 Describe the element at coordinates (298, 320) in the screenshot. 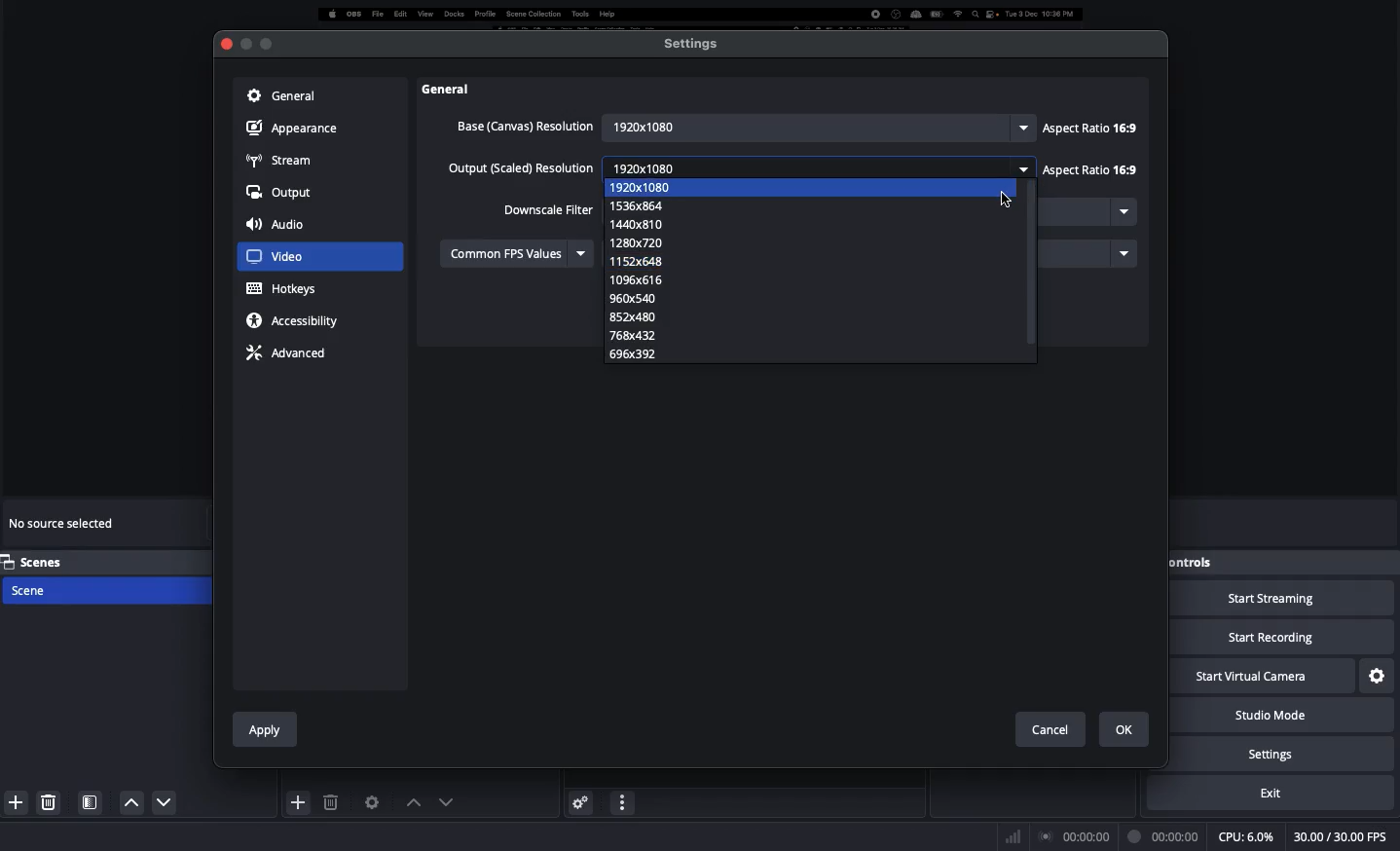

I see `Accessibility ` at that location.